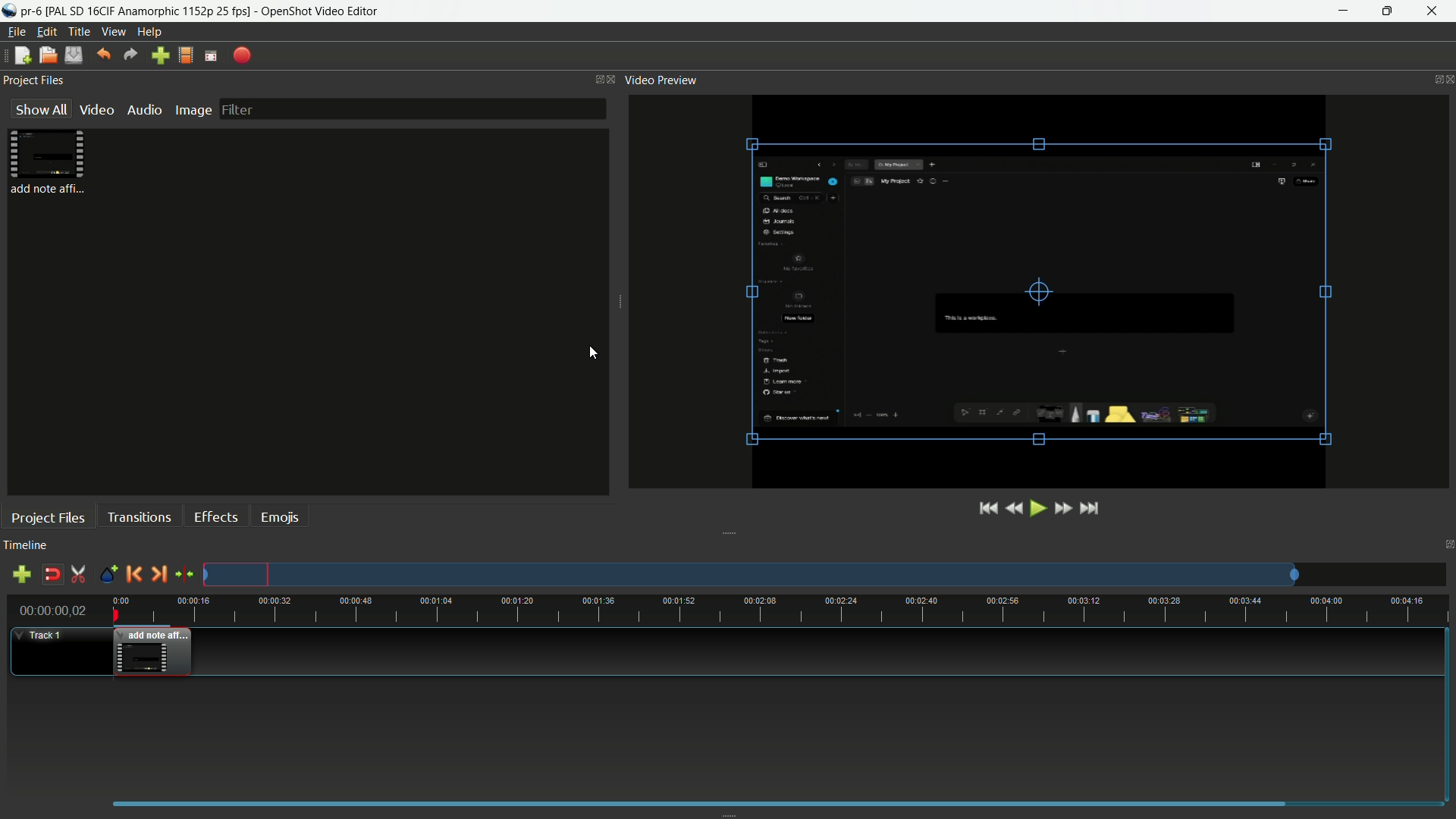 Image resolution: width=1456 pixels, height=819 pixels. What do you see at coordinates (1433, 78) in the screenshot?
I see `change layout` at bounding box center [1433, 78].